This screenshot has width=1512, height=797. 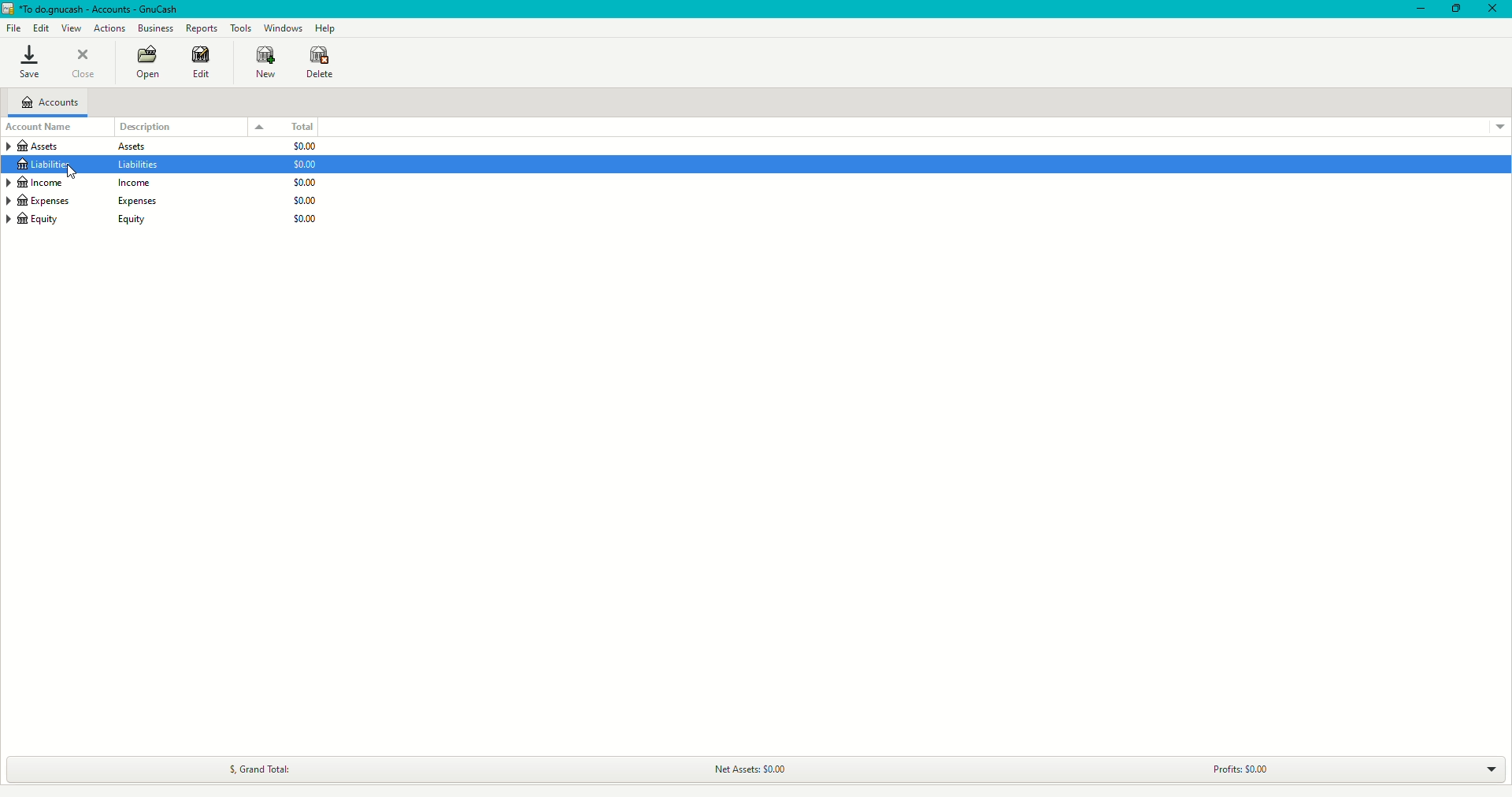 I want to click on Income, so click(x=78, y=183).